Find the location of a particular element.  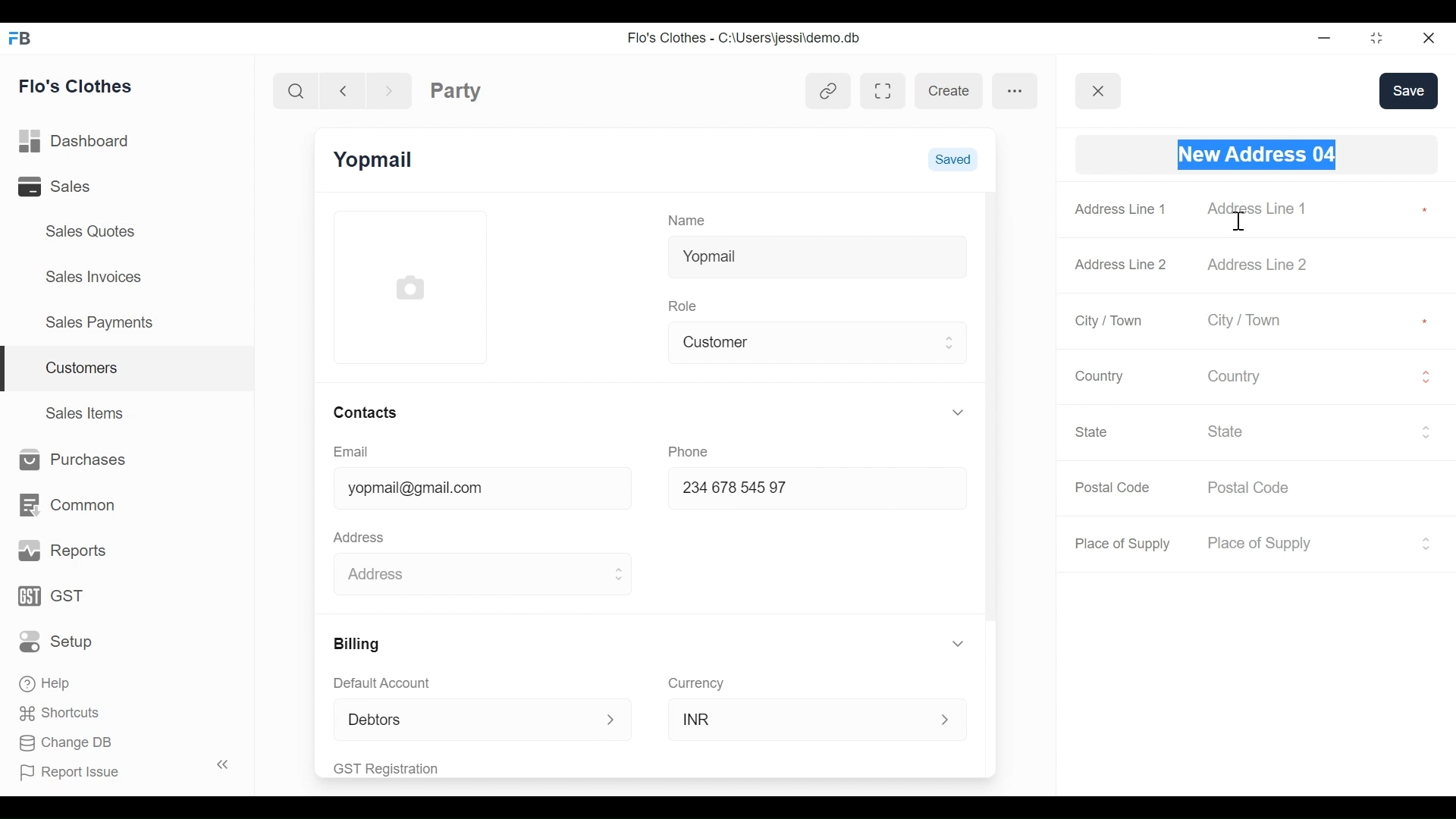

Expand is located at coordinates (958, 412).